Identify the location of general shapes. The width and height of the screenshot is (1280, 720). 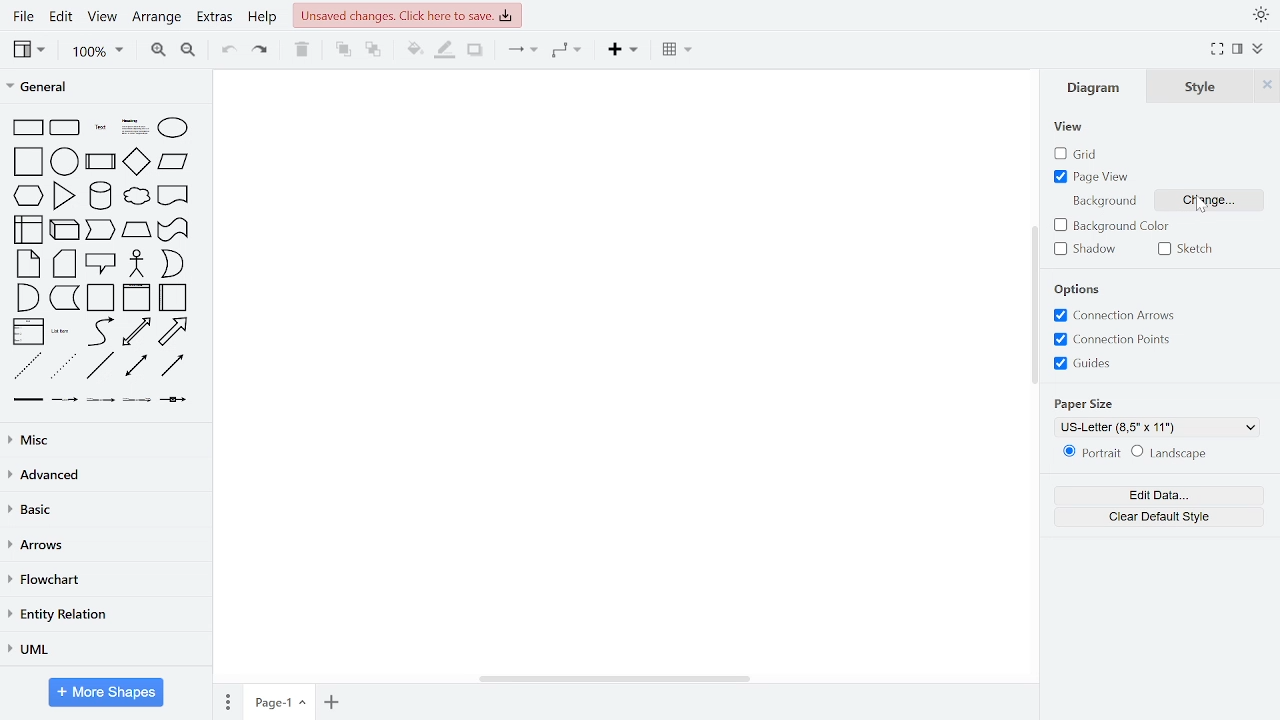
(63, 226).